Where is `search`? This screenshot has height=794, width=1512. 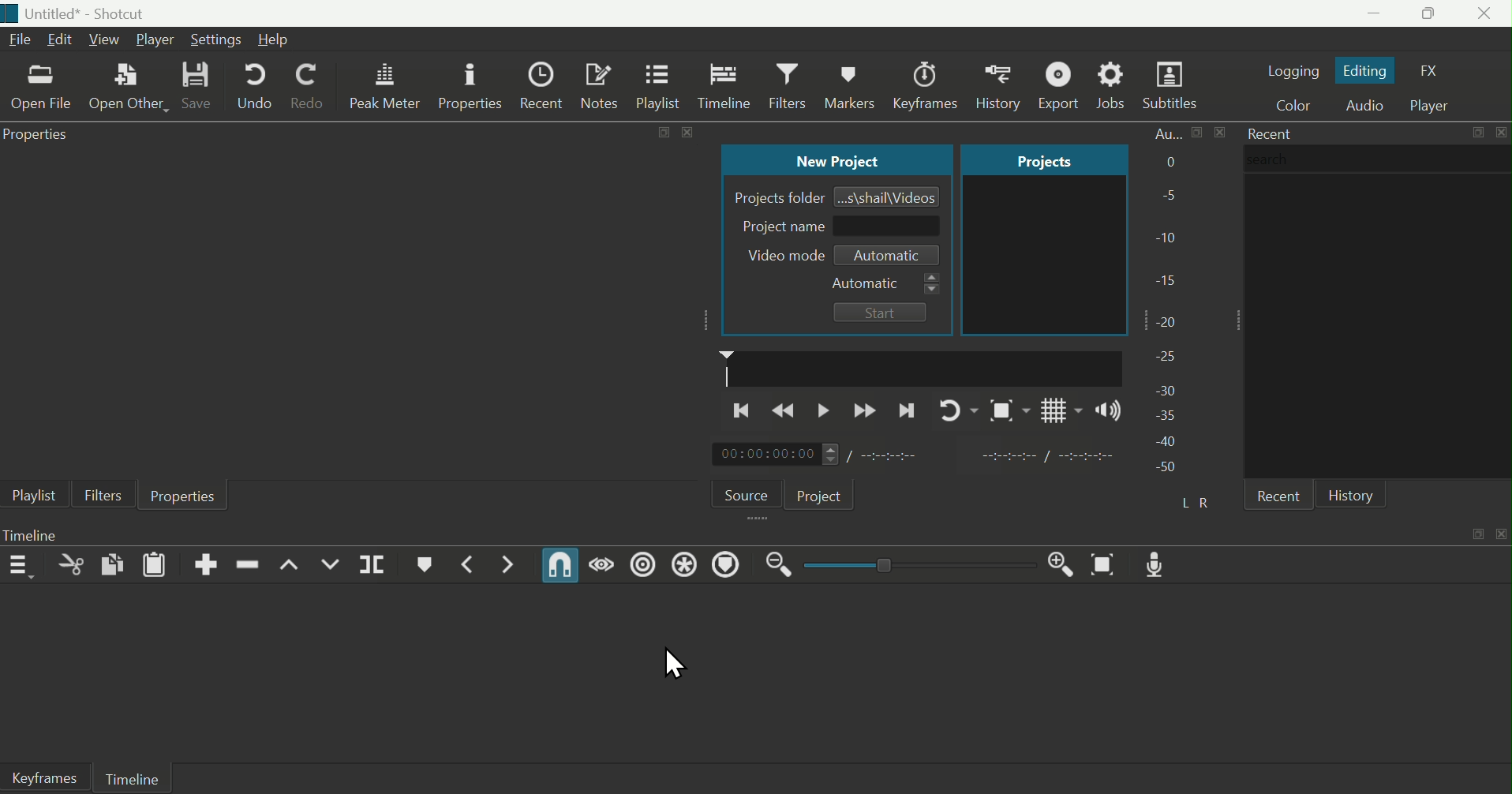 search is located at coordinates (1378, 159).